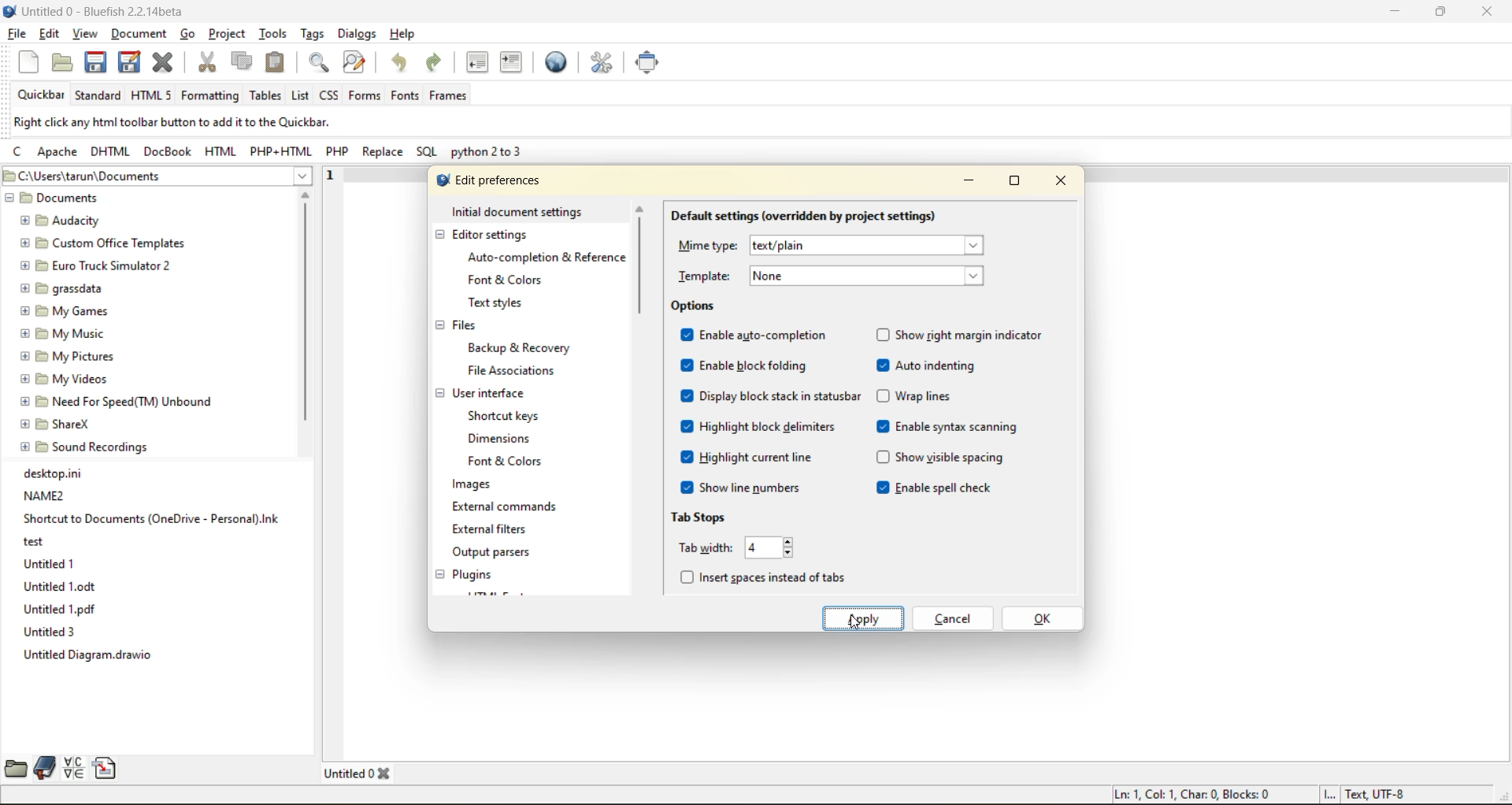 This screenshot has height=805, width=1512. I want to click on undo, so click(404, 63).